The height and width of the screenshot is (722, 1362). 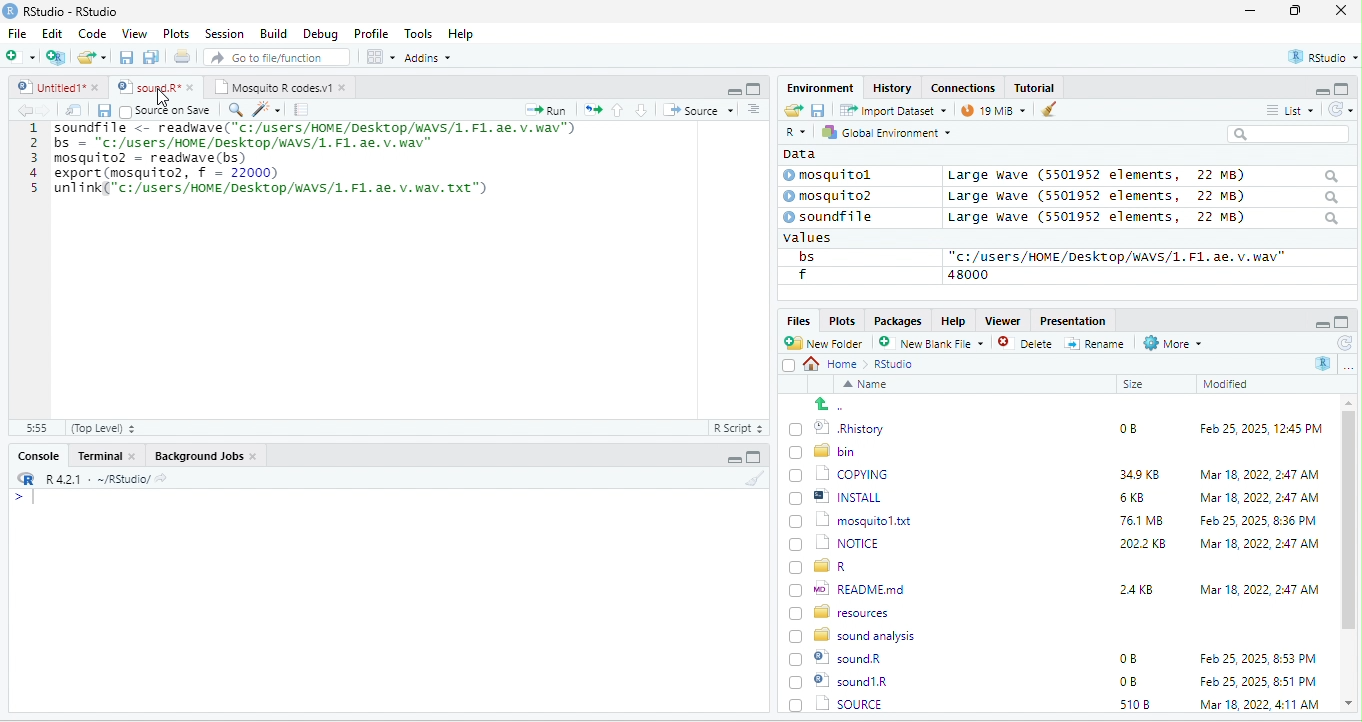 I want to click on save, so click(x=128, y=58).